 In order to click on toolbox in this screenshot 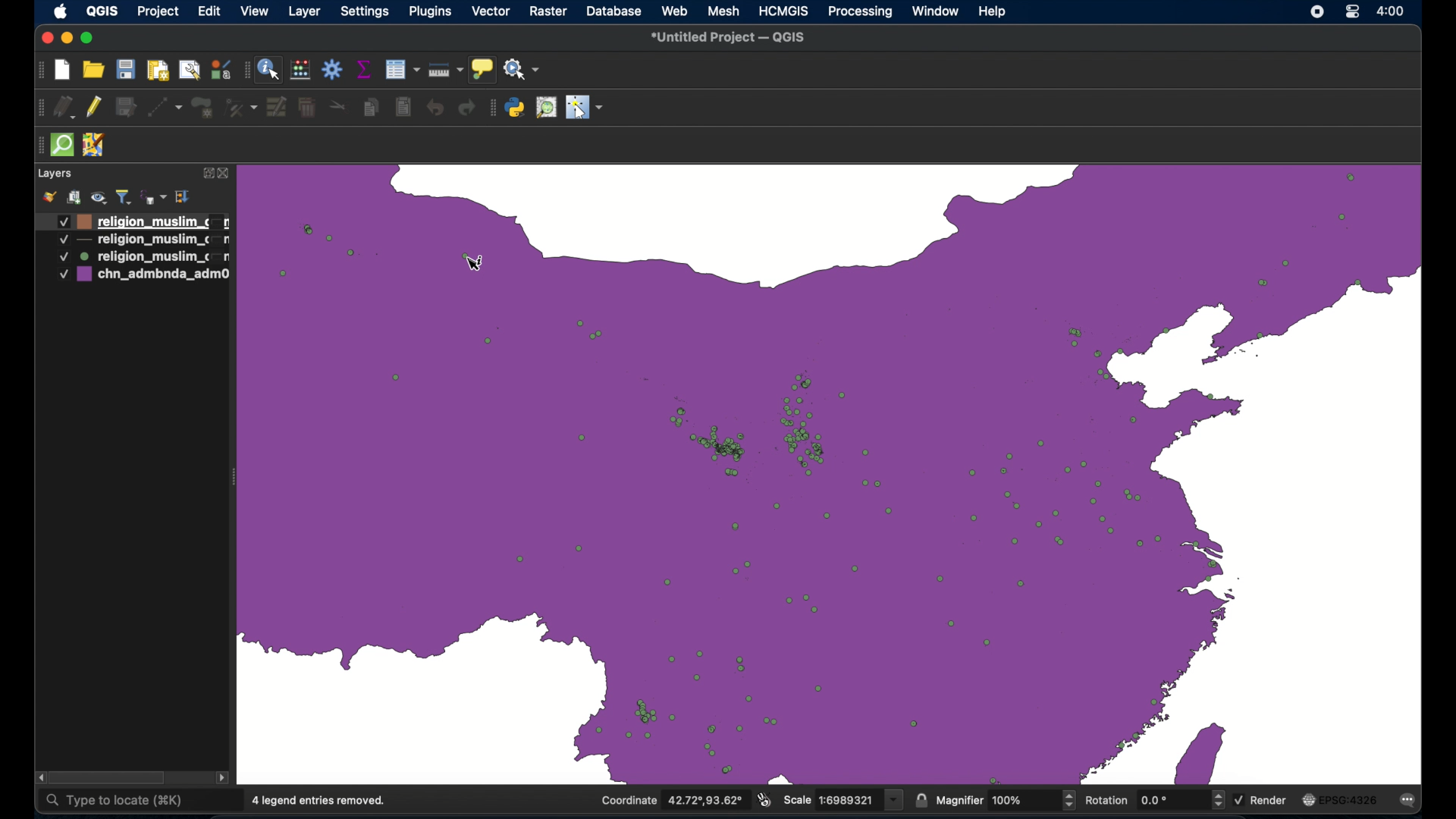, I will do `click(334, 71)`.